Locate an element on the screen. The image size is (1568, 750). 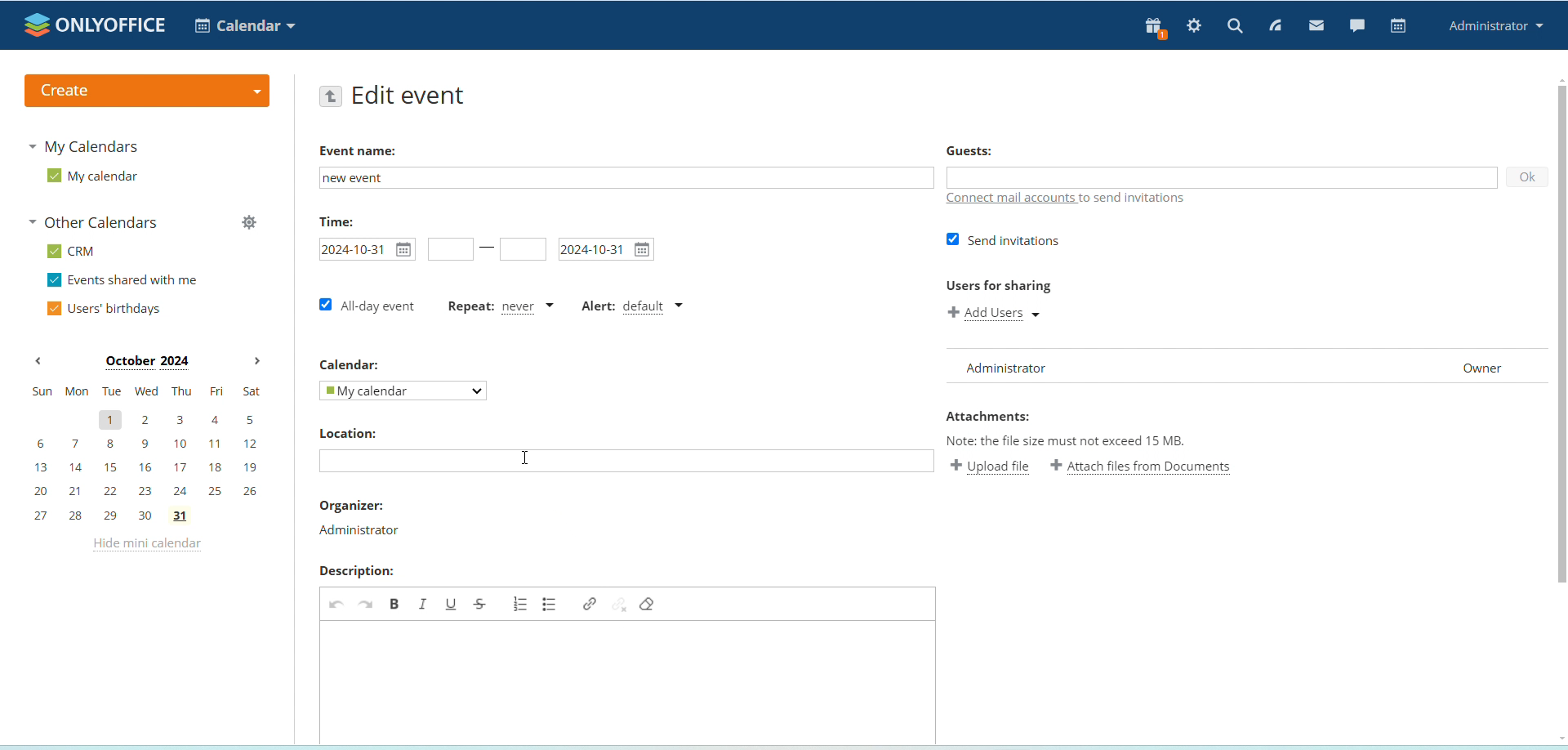
mini calendar is located at coordinates (147, 453).